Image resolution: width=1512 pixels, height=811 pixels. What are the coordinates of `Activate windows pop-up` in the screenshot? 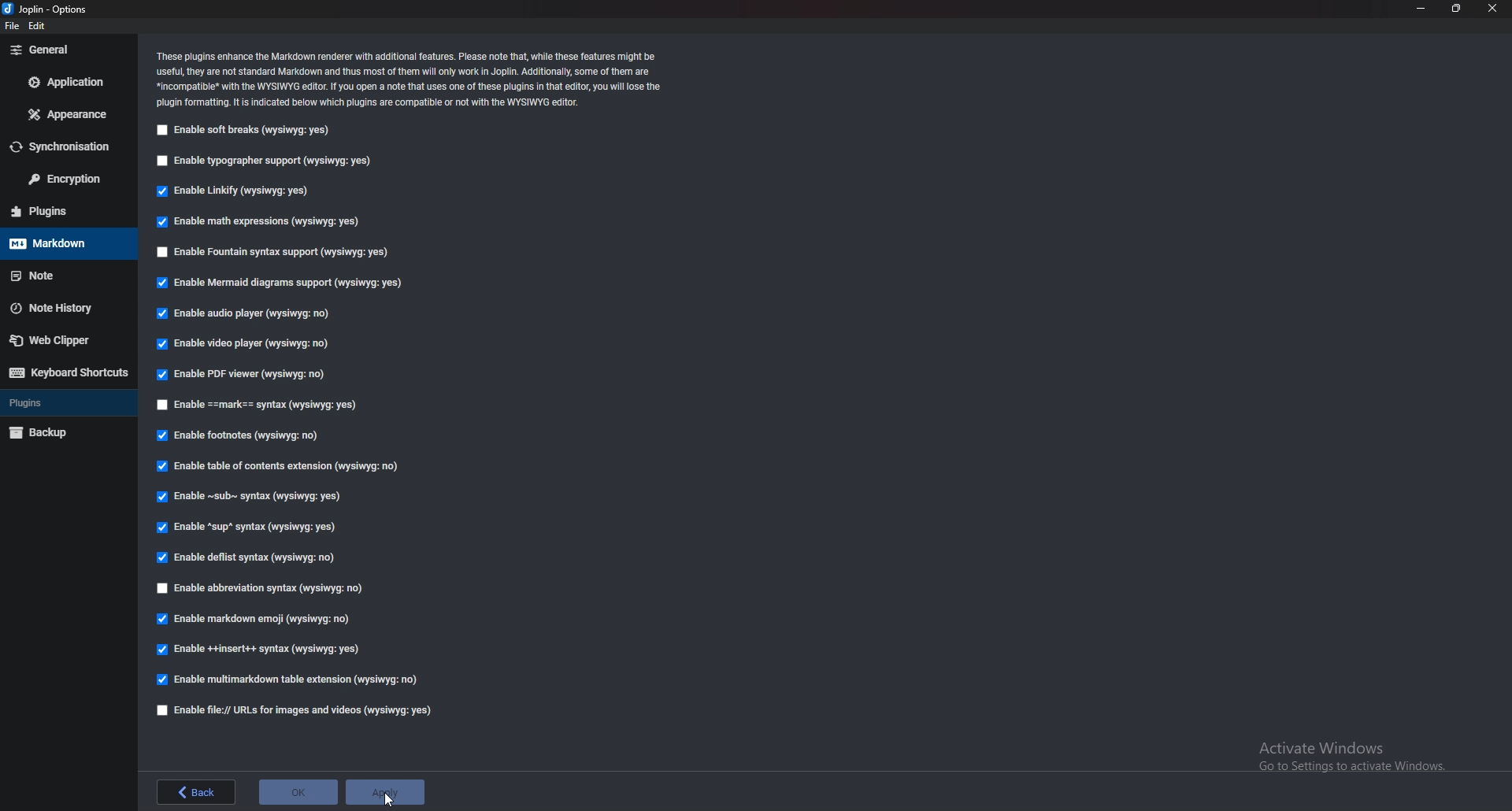 It's located at (1358, 760).